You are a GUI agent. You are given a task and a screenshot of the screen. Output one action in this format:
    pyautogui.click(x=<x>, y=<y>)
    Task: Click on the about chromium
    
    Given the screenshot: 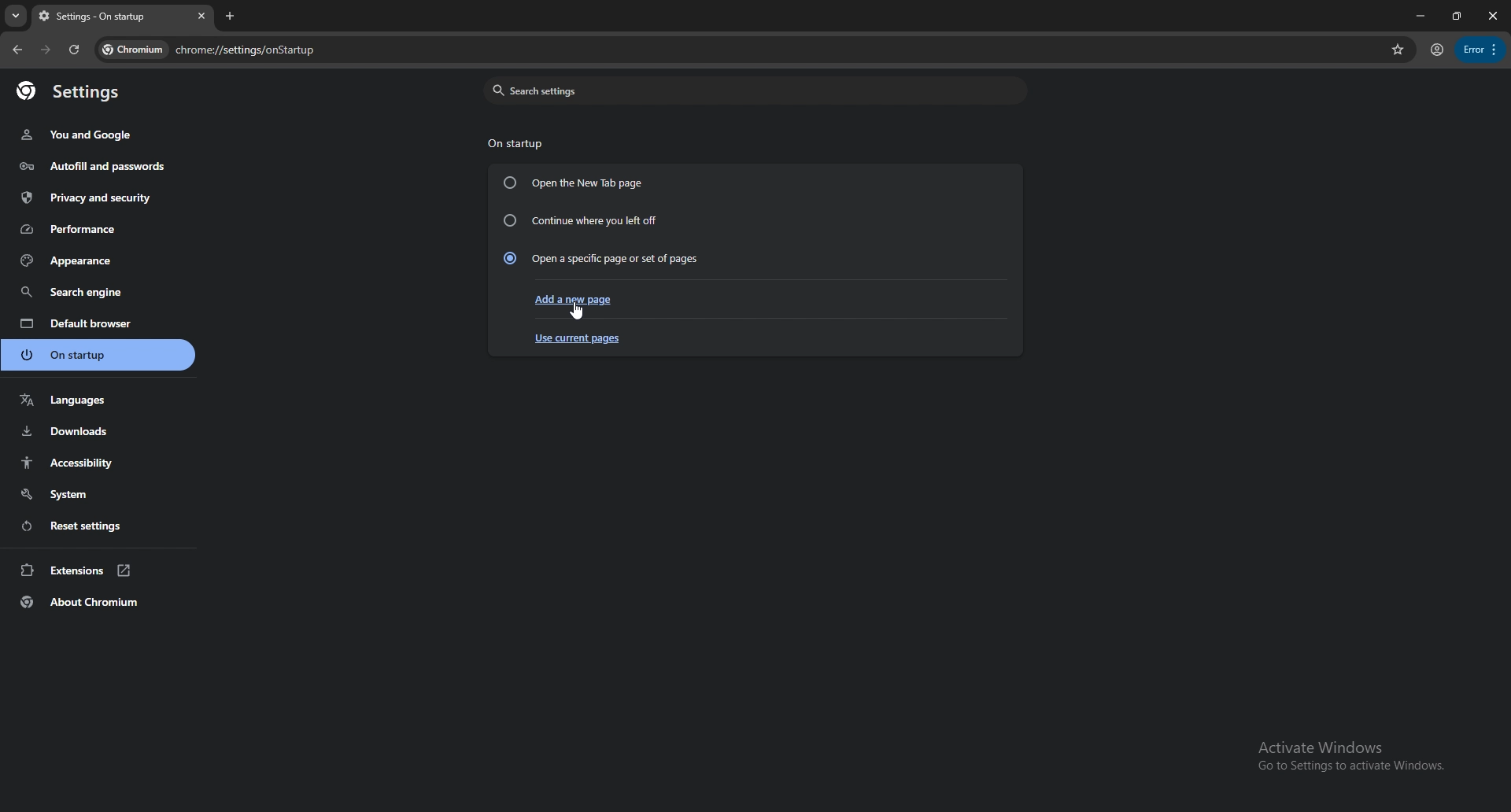 What is the action you would take?
    pyautogui.click(x=99, y=602)
    